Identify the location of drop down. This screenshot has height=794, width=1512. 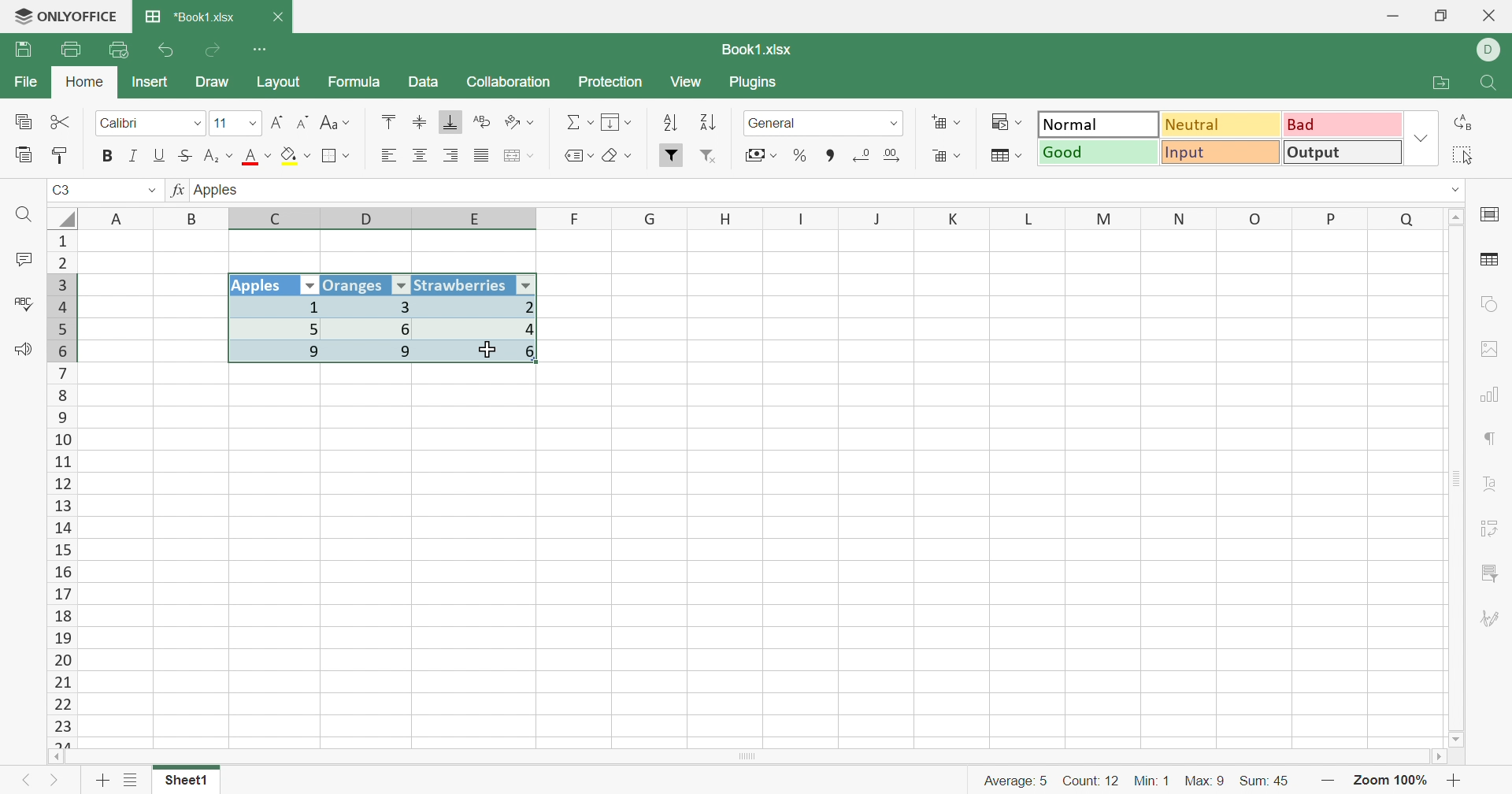
(151, 191).